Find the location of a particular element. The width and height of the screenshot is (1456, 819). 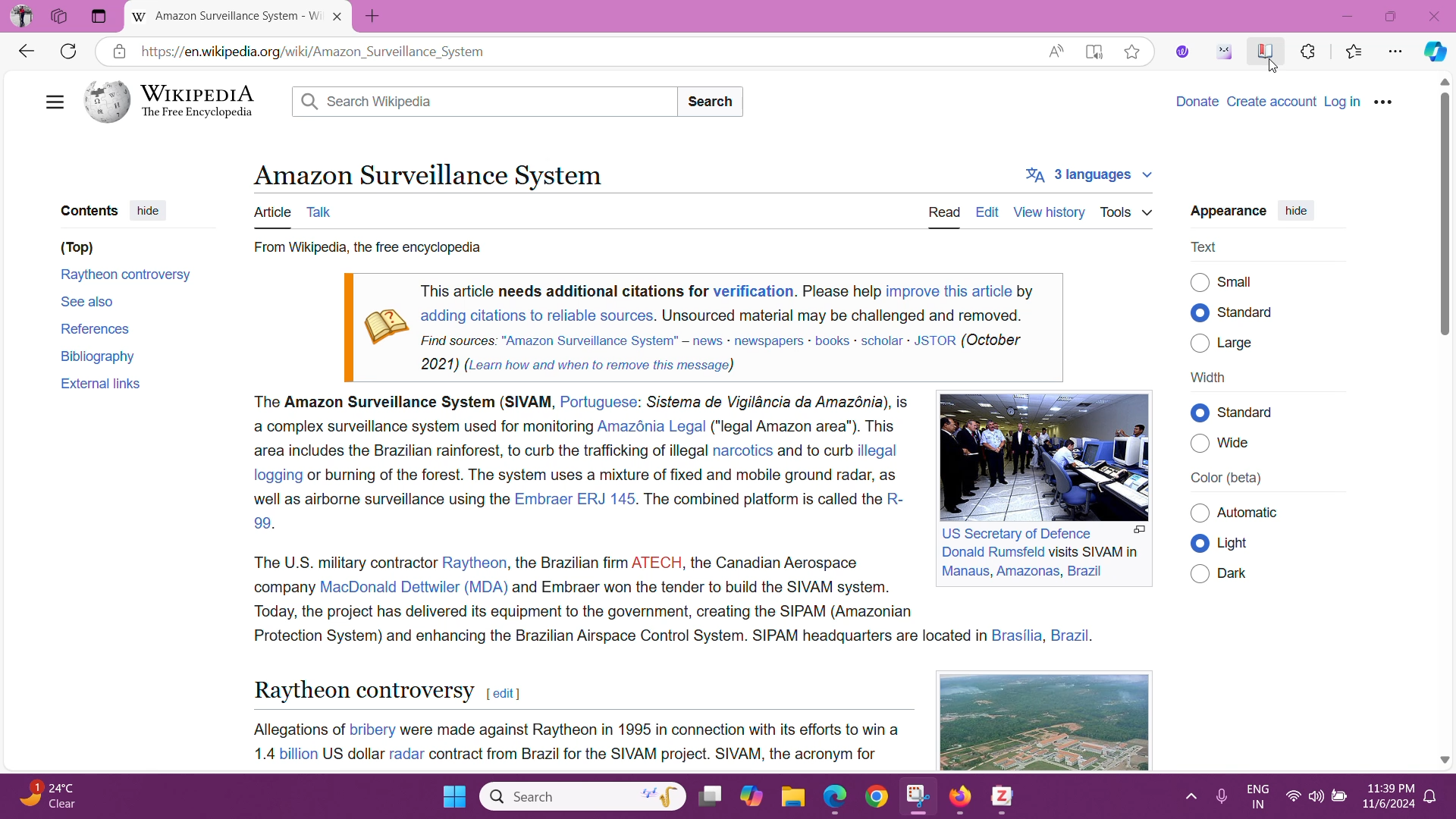

MacDonald Dettwiler (MDA) is located at coordinates (413, 586).